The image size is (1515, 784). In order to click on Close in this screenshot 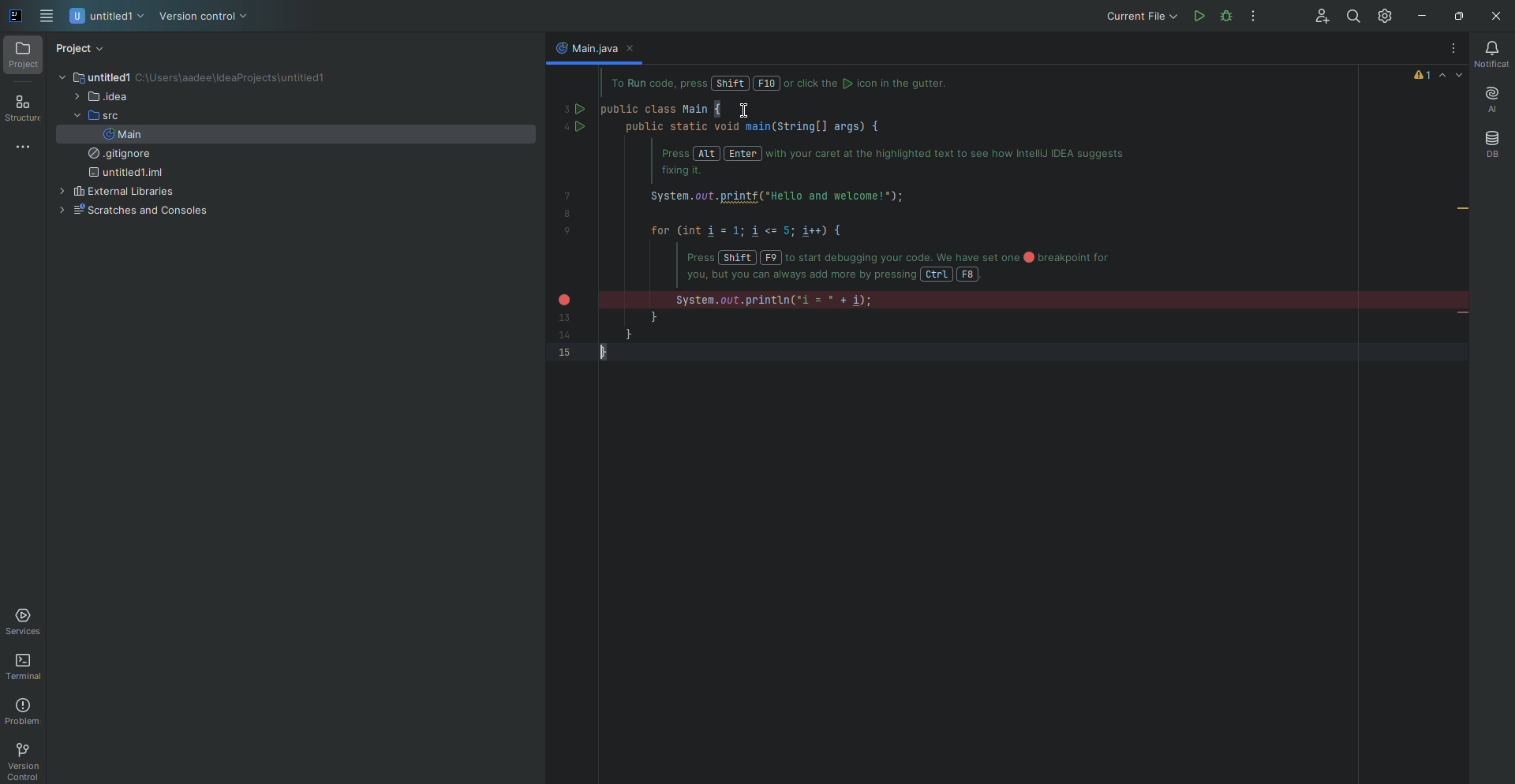, I will do `click(1493, 17)`.